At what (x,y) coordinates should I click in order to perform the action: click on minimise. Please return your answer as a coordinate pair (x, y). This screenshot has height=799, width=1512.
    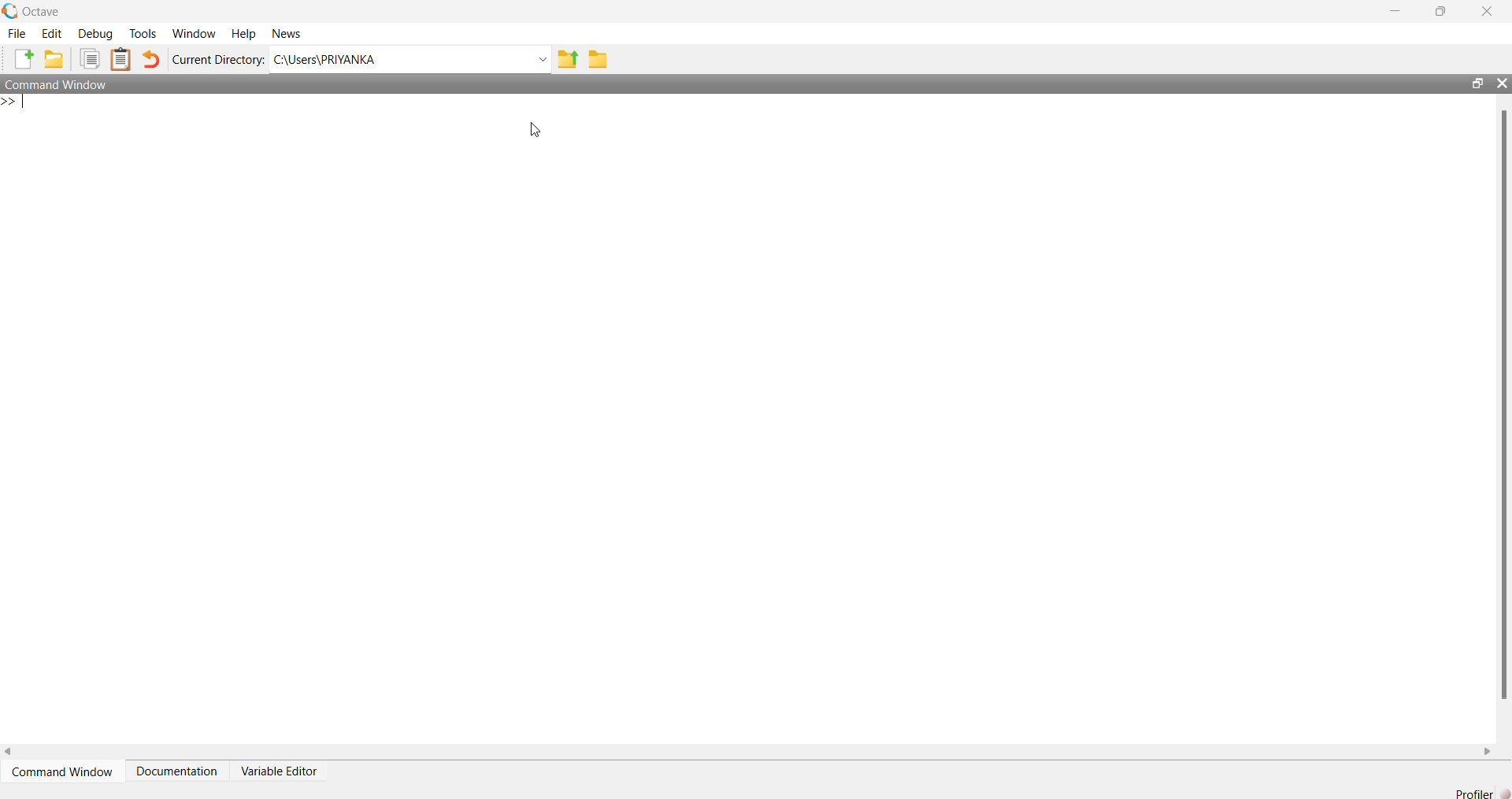
    Looking at the image, I should click on (1395, 9).